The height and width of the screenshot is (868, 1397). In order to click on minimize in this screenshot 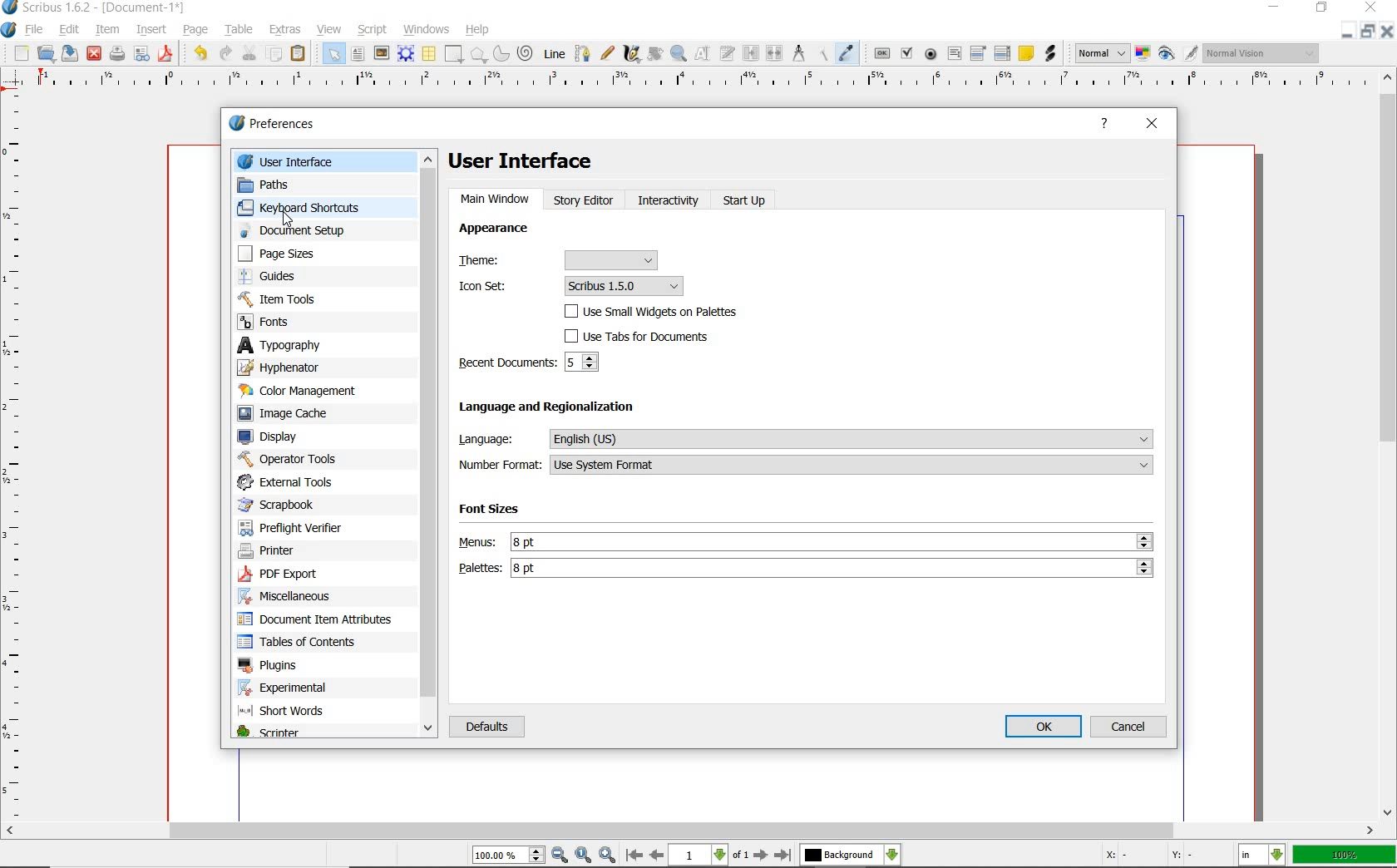, I will do `click(1369, 31)`.